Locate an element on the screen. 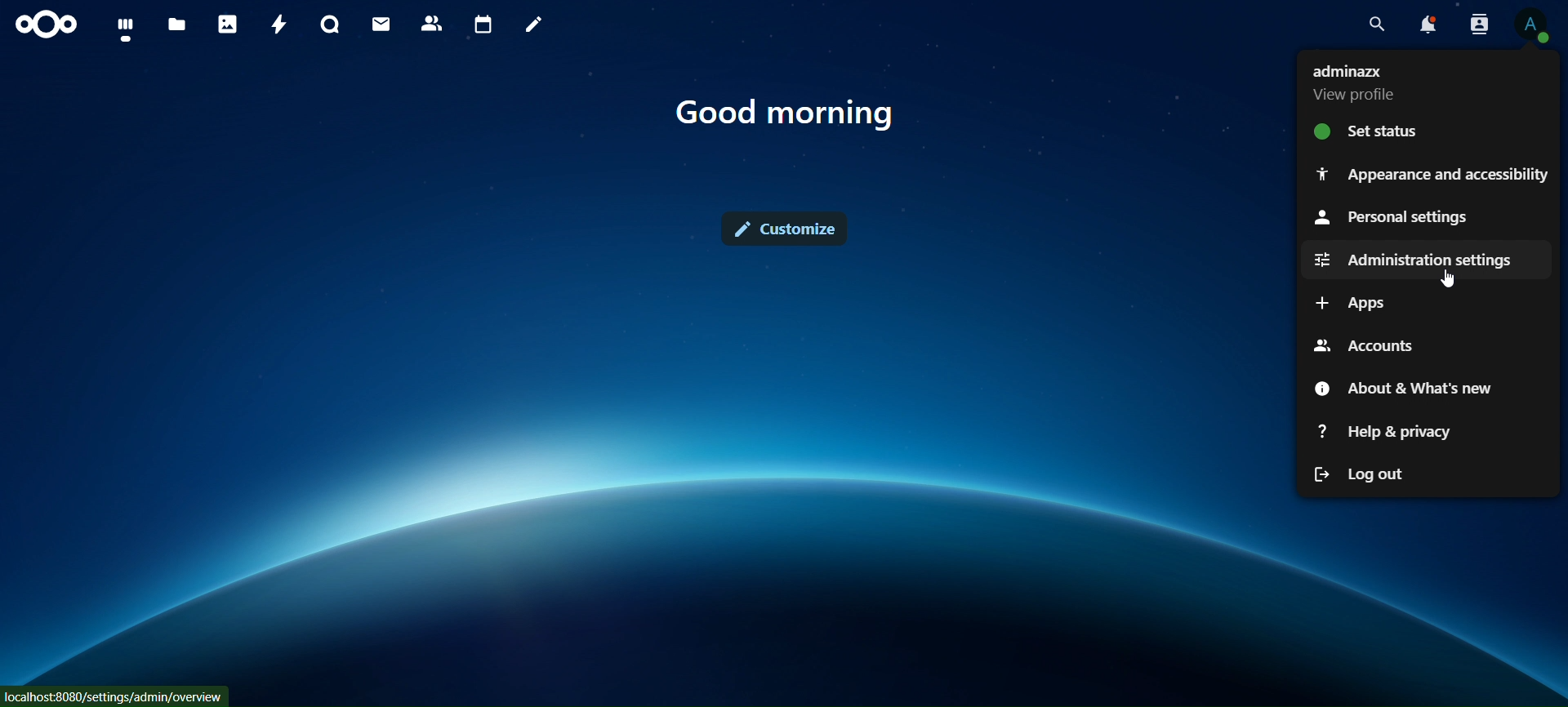 The image size is (1568, 707). search contacts is located at coordinates (1480, 23).